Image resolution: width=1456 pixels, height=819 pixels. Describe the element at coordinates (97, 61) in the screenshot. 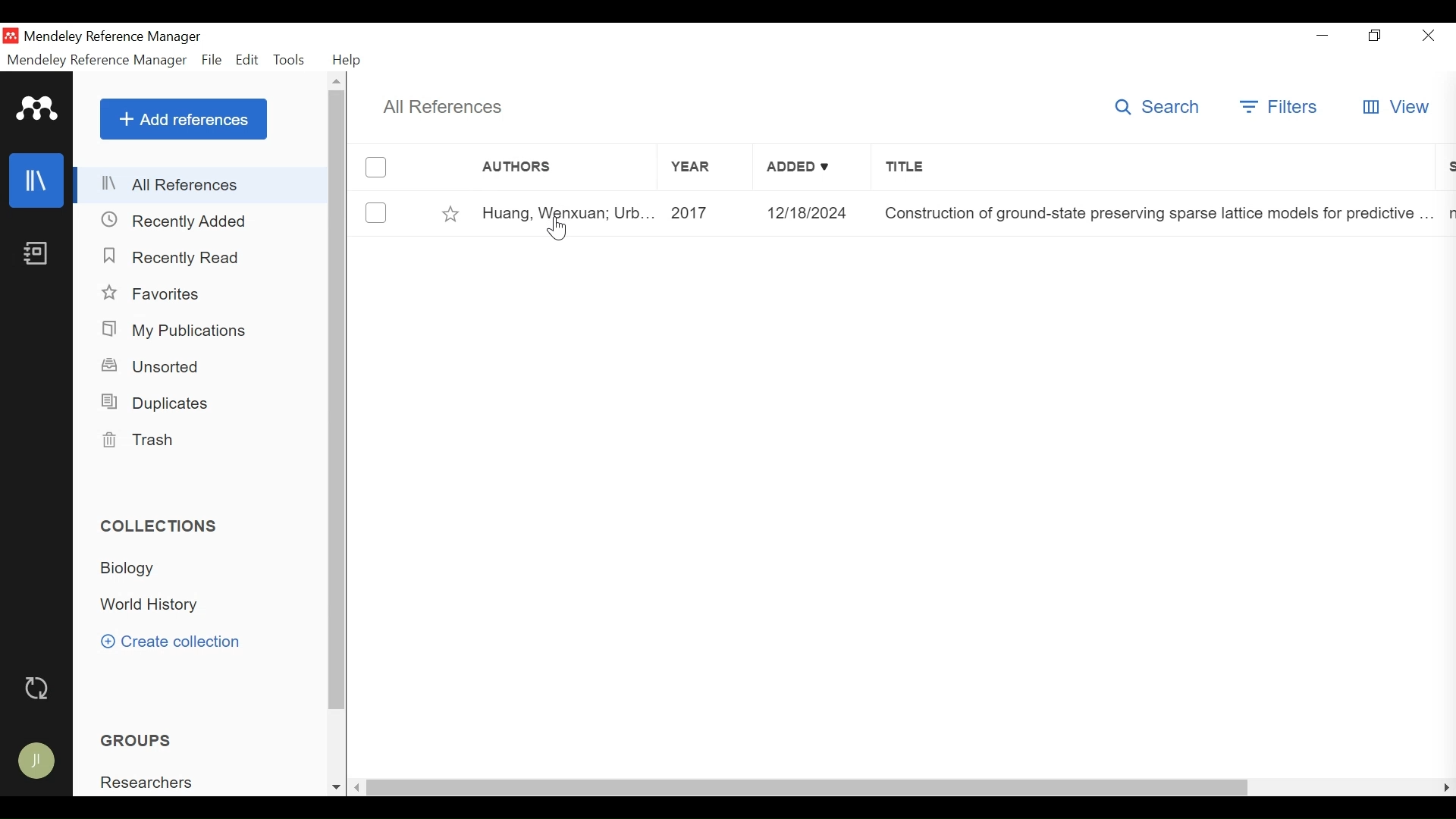

I see `Mendeley Reference Manager` at that location.